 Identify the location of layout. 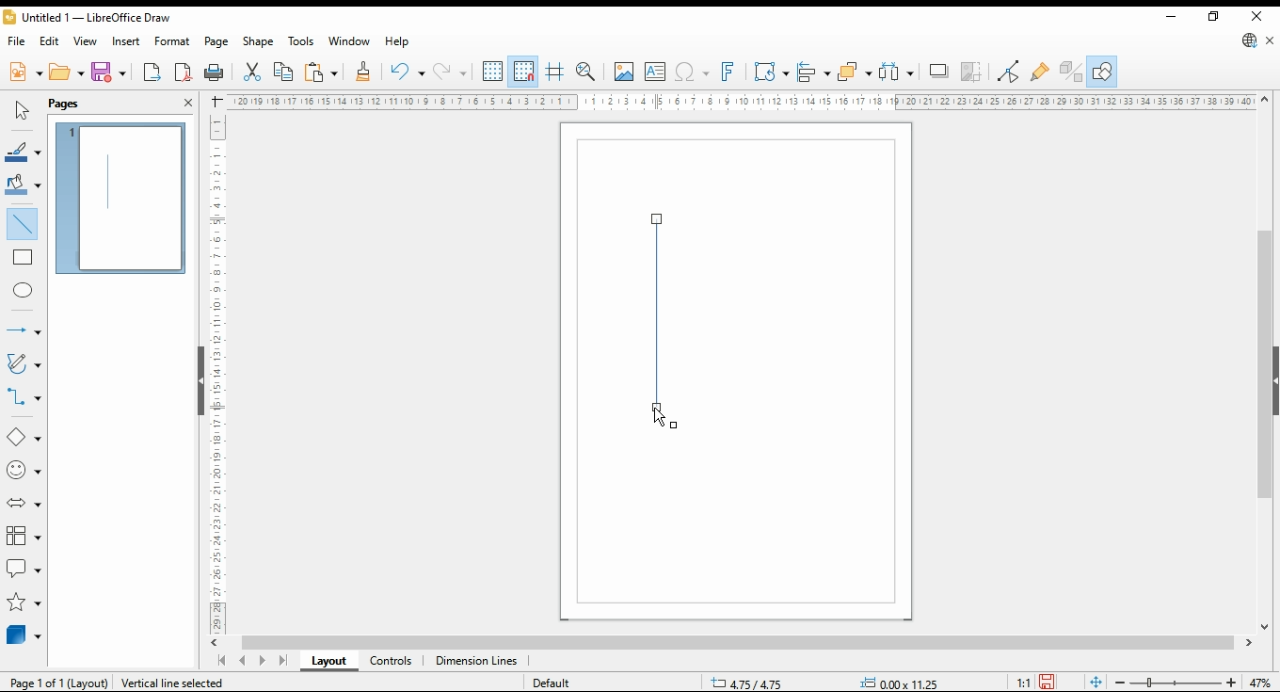
(328, 662).